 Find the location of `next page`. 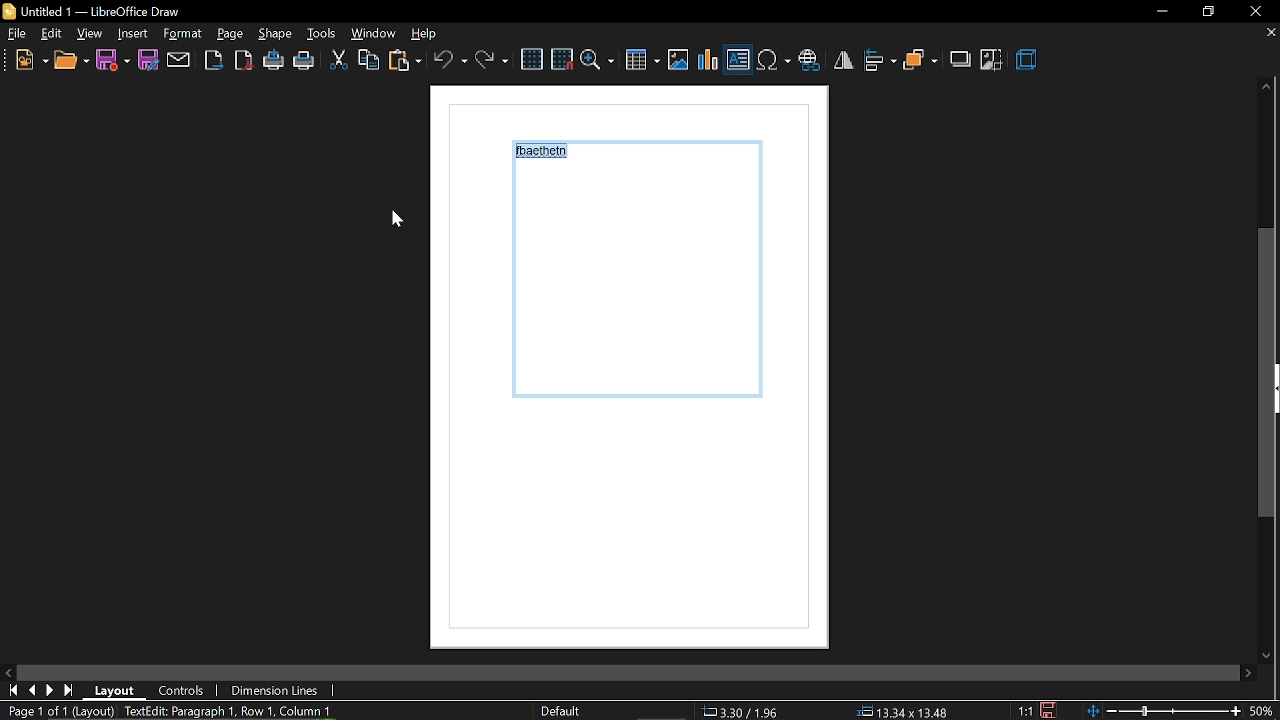

next page is located at coordinates (50, 690).